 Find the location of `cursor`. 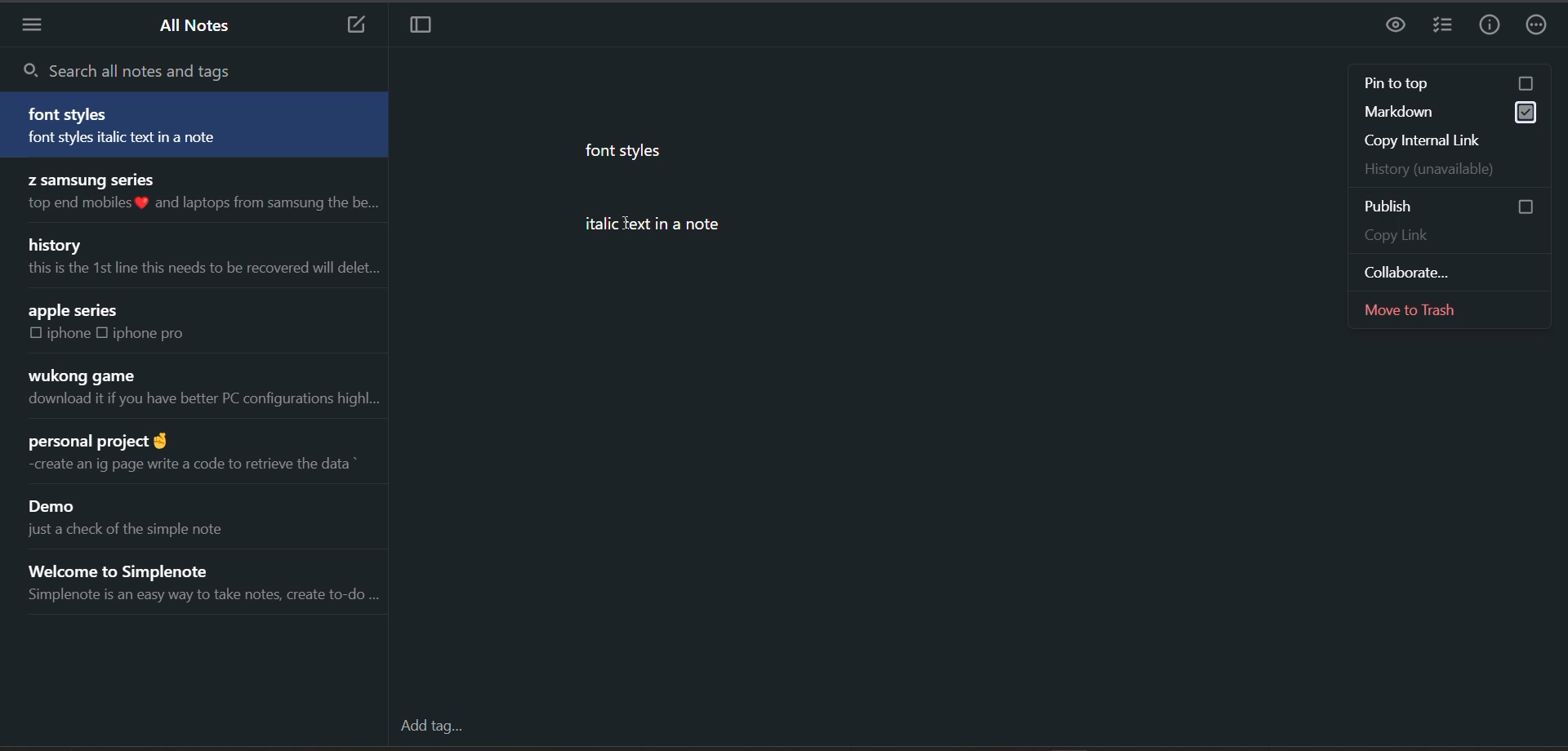

cursor is located at coordinates (624, 220).